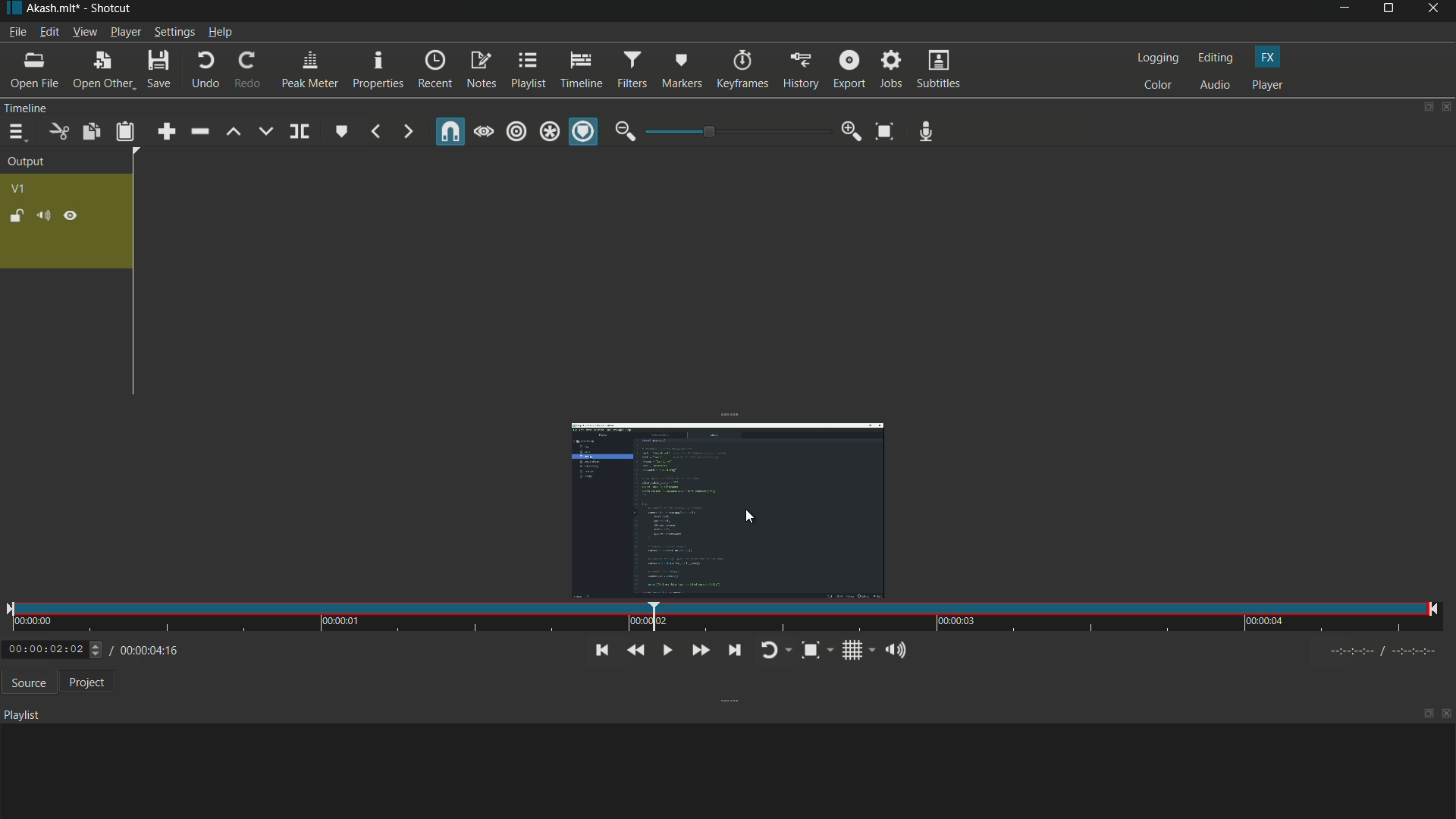 The image size is (1456, 819). I want to click on playlist, so click(527, 71).